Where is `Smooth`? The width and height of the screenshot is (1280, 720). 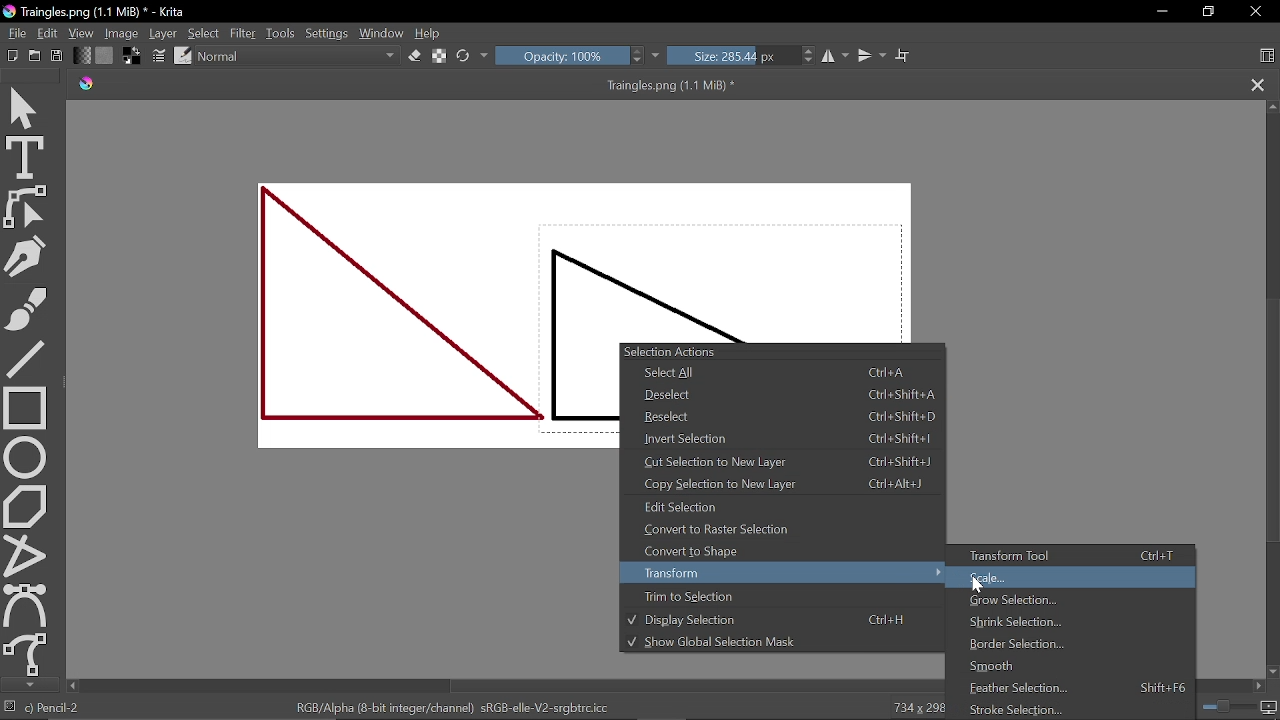
Smooth is located at coordinates (1061, 668).